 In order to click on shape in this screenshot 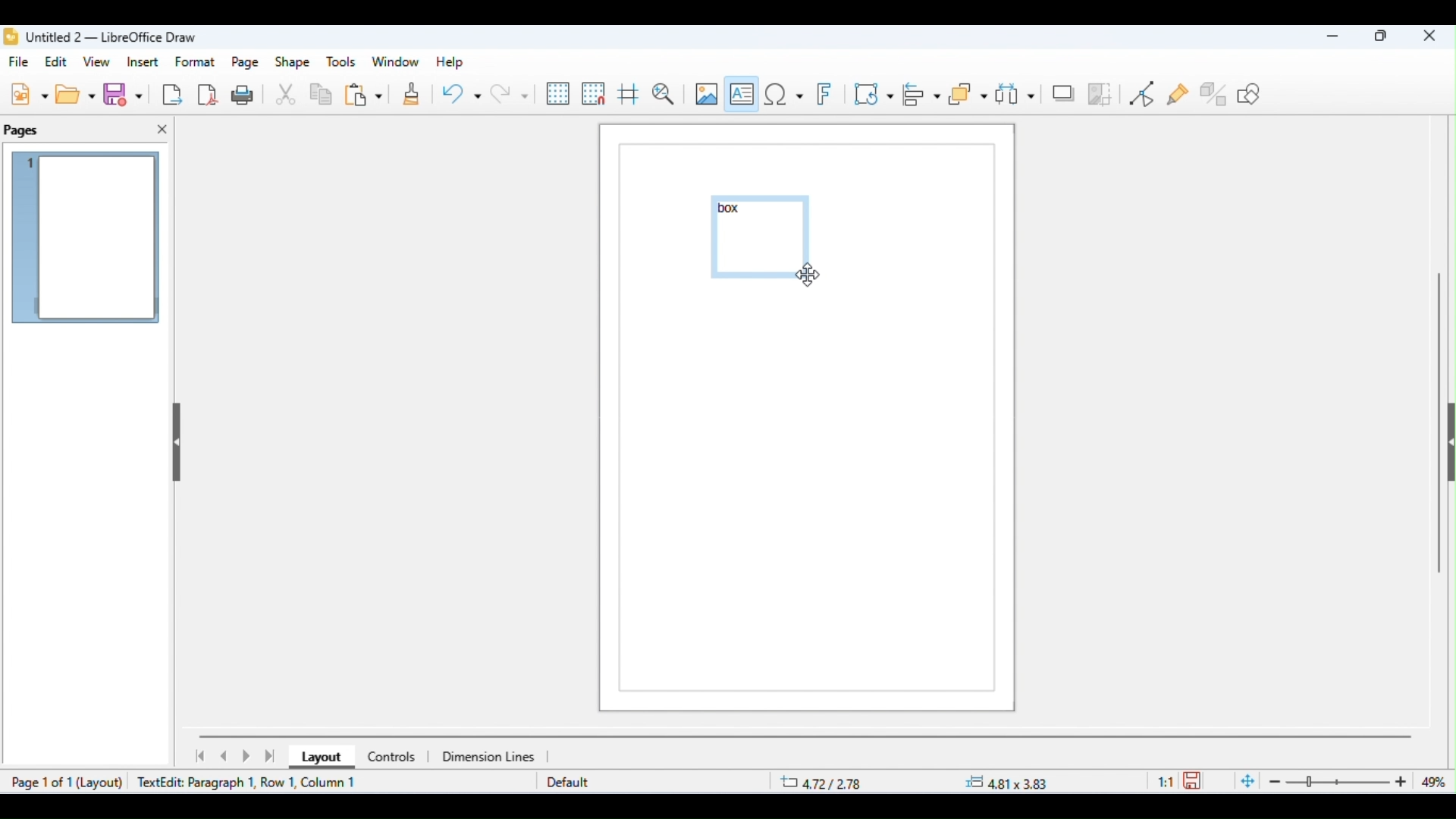, I will do `click(293, 63)`.